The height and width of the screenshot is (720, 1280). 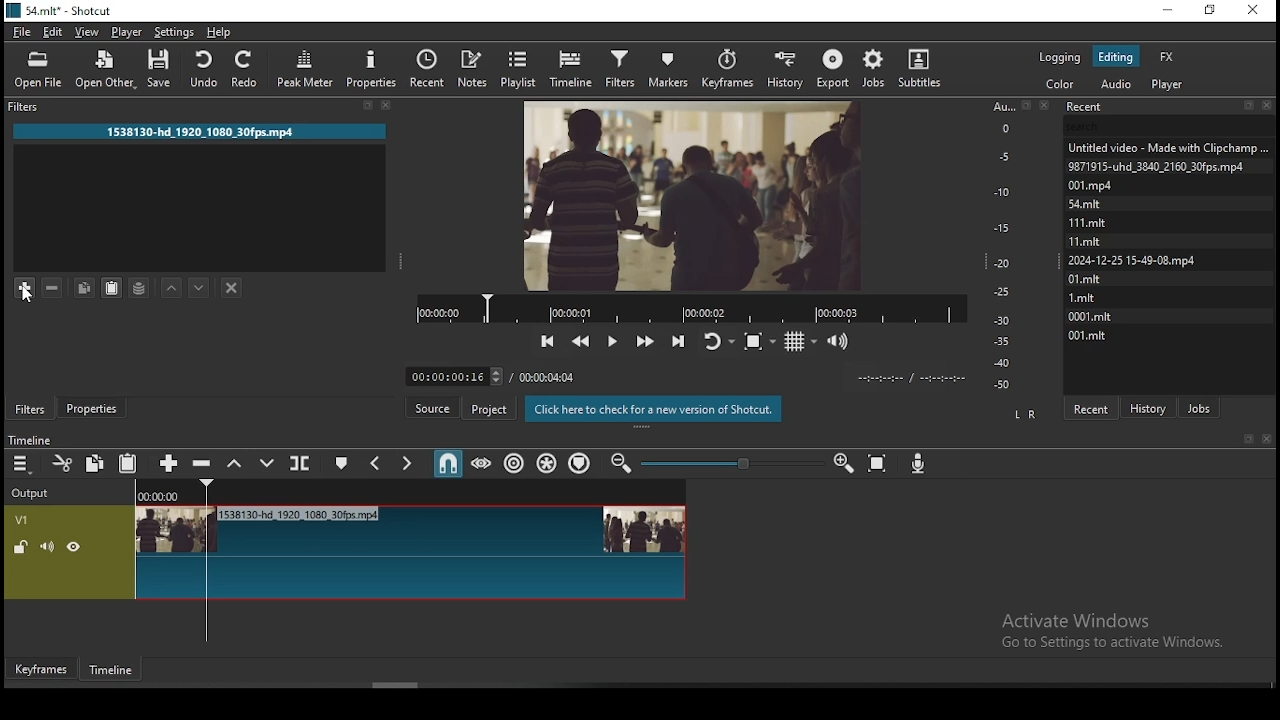 What do you see at coordinates (405, 462) in the screenshot?
I see `next marker` at bounding box center [405, 462].